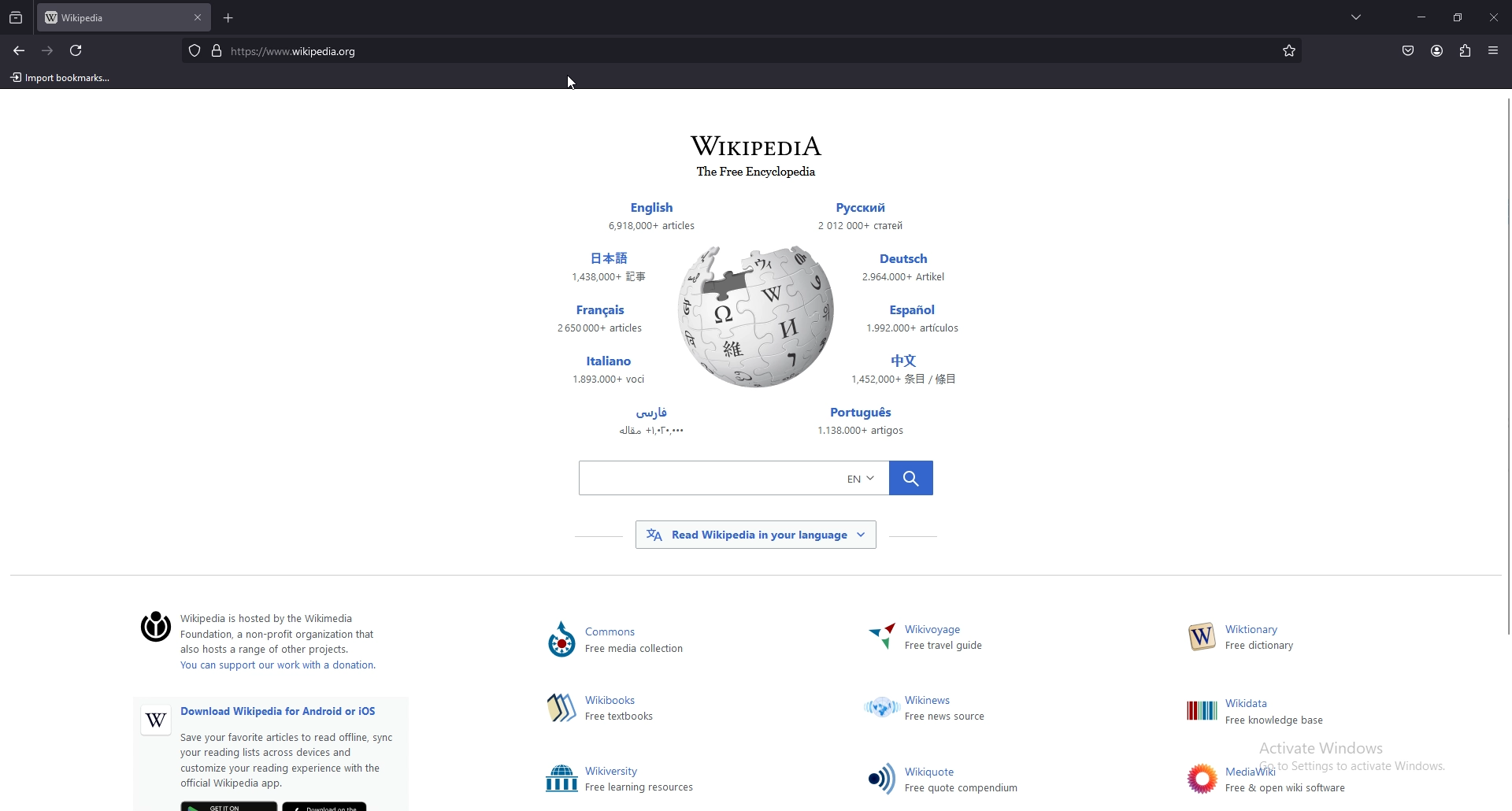 This screenshot has width=1512, height=811. What do you see at coordinates (1203, 637) in the screenshot?
I see `` at bounding box center [1203, 637].